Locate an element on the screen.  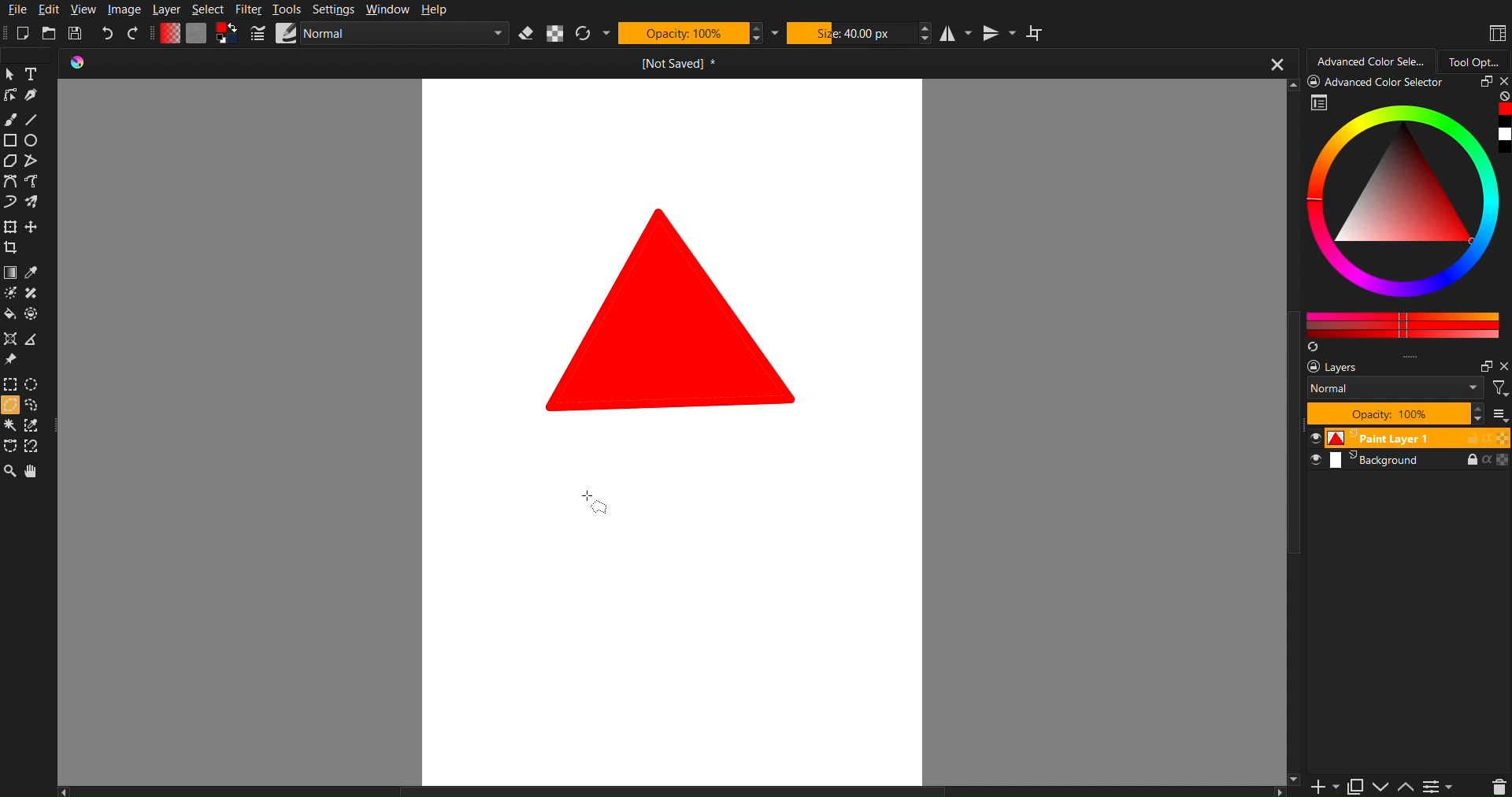
Select is located at coordinates (209, 9).